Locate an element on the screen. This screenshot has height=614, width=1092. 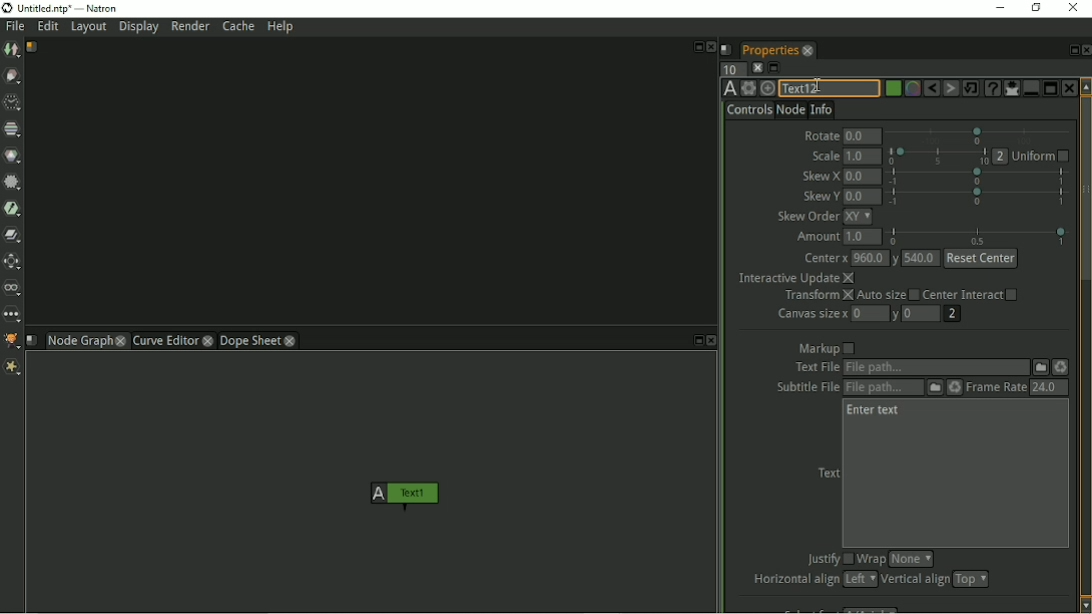
Subtitle is located at coordinates (935, 388).